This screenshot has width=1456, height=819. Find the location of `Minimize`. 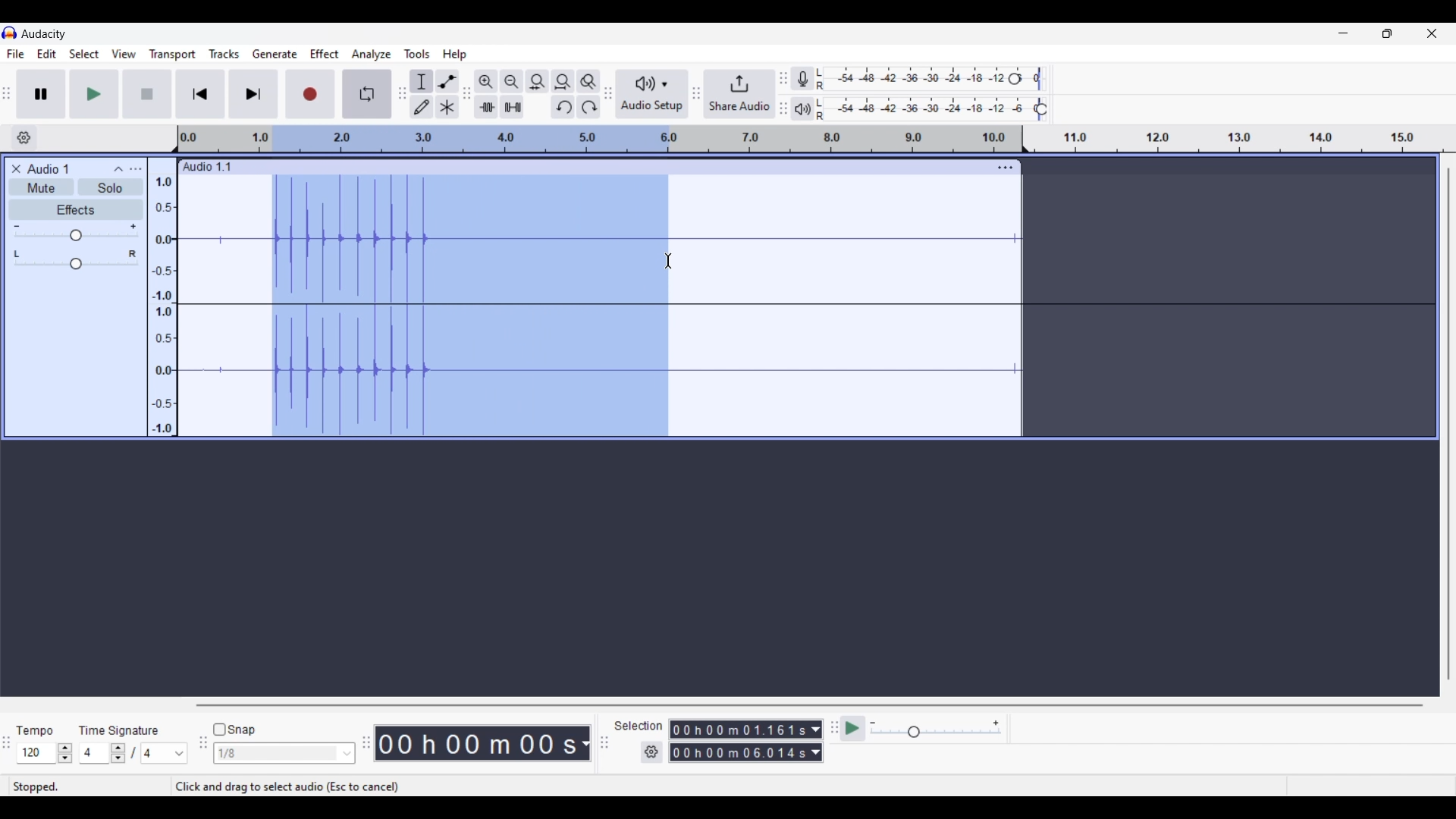

Minimize is located at coordinates (1343, 33).